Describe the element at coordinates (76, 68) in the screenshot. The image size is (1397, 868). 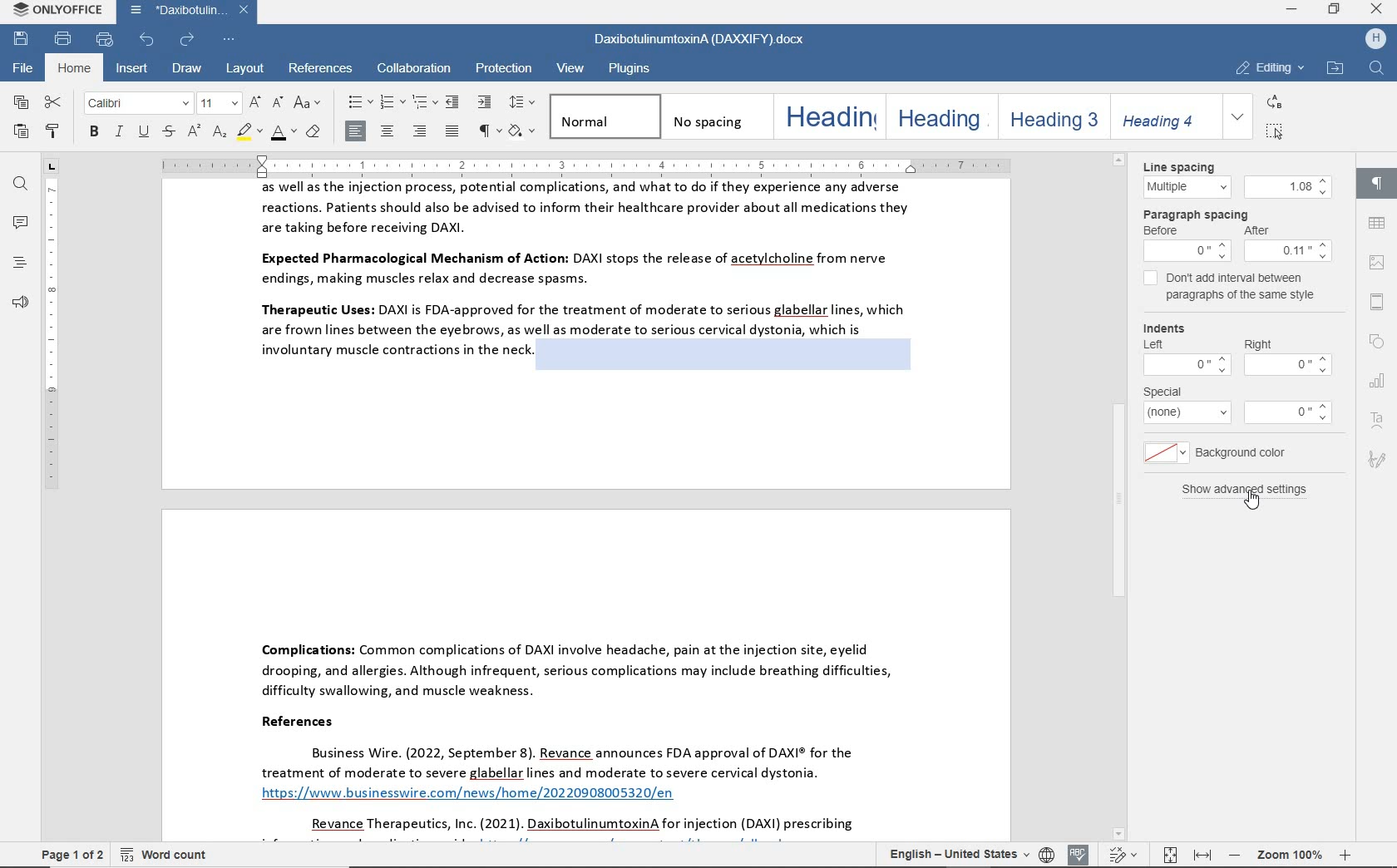
I see `home` at that location.